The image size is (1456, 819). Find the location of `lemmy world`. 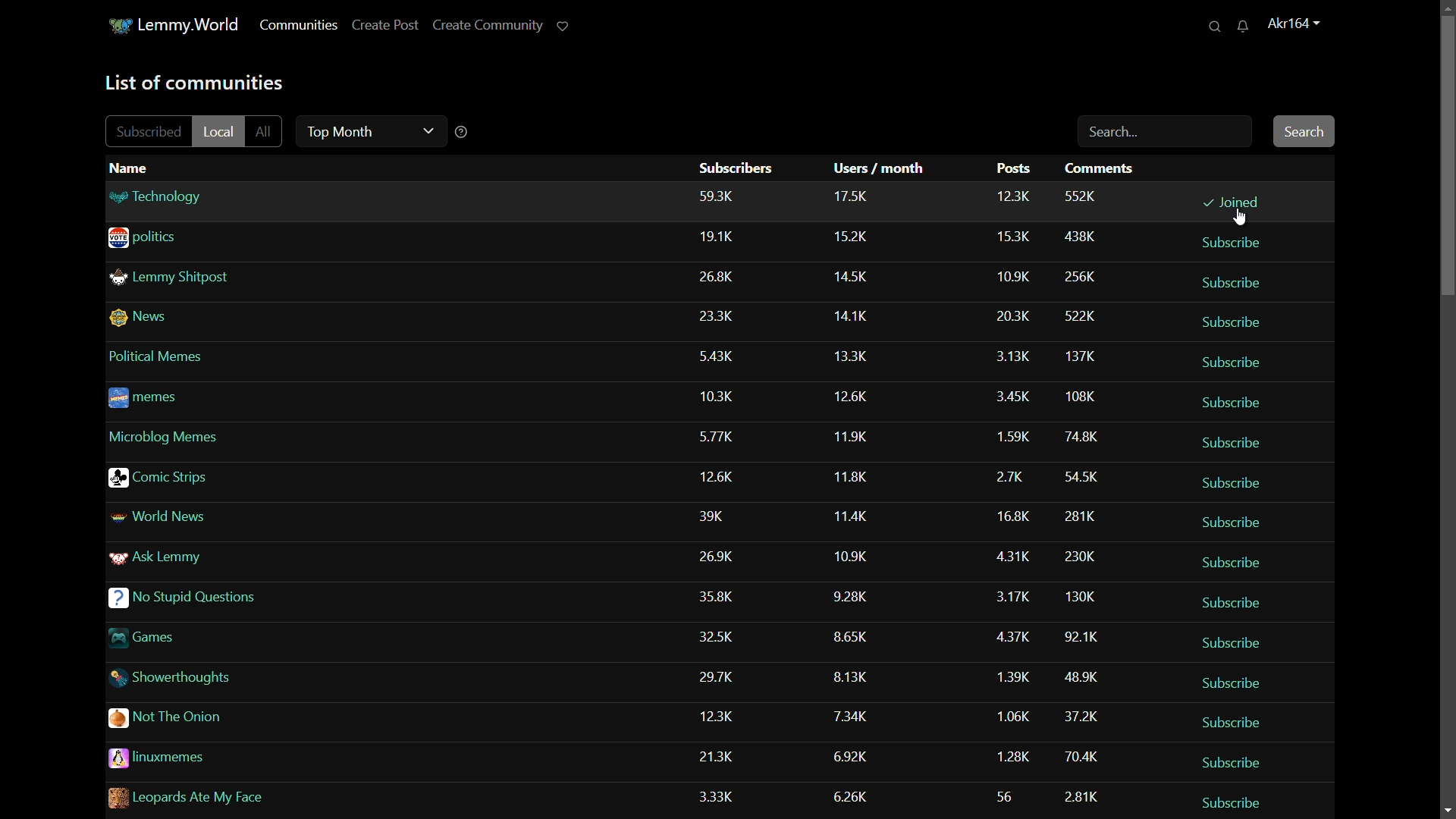

lemmy world is located at coordinates (193, 25).